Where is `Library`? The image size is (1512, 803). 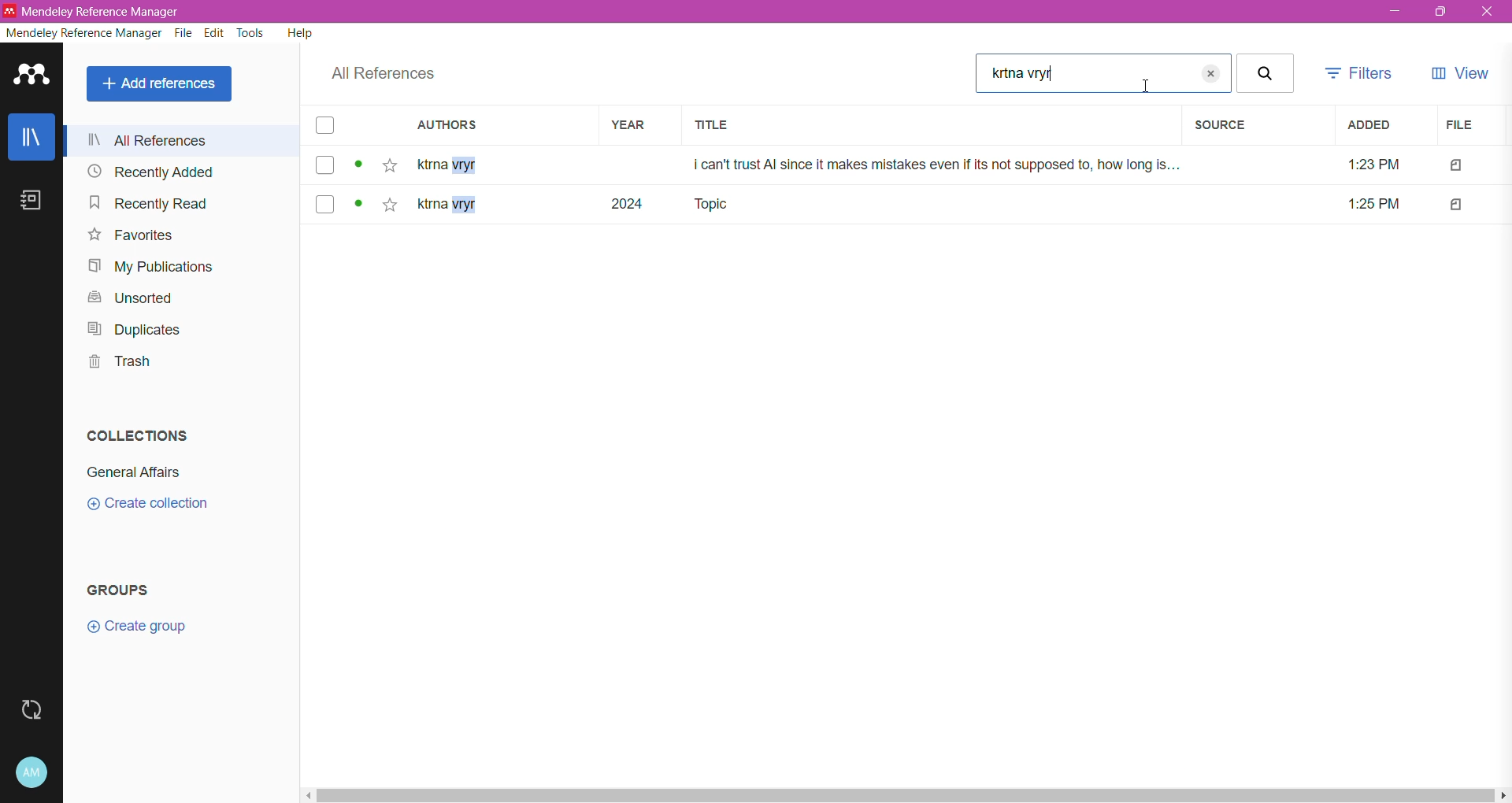 Library is located at coordinates (32, 139).